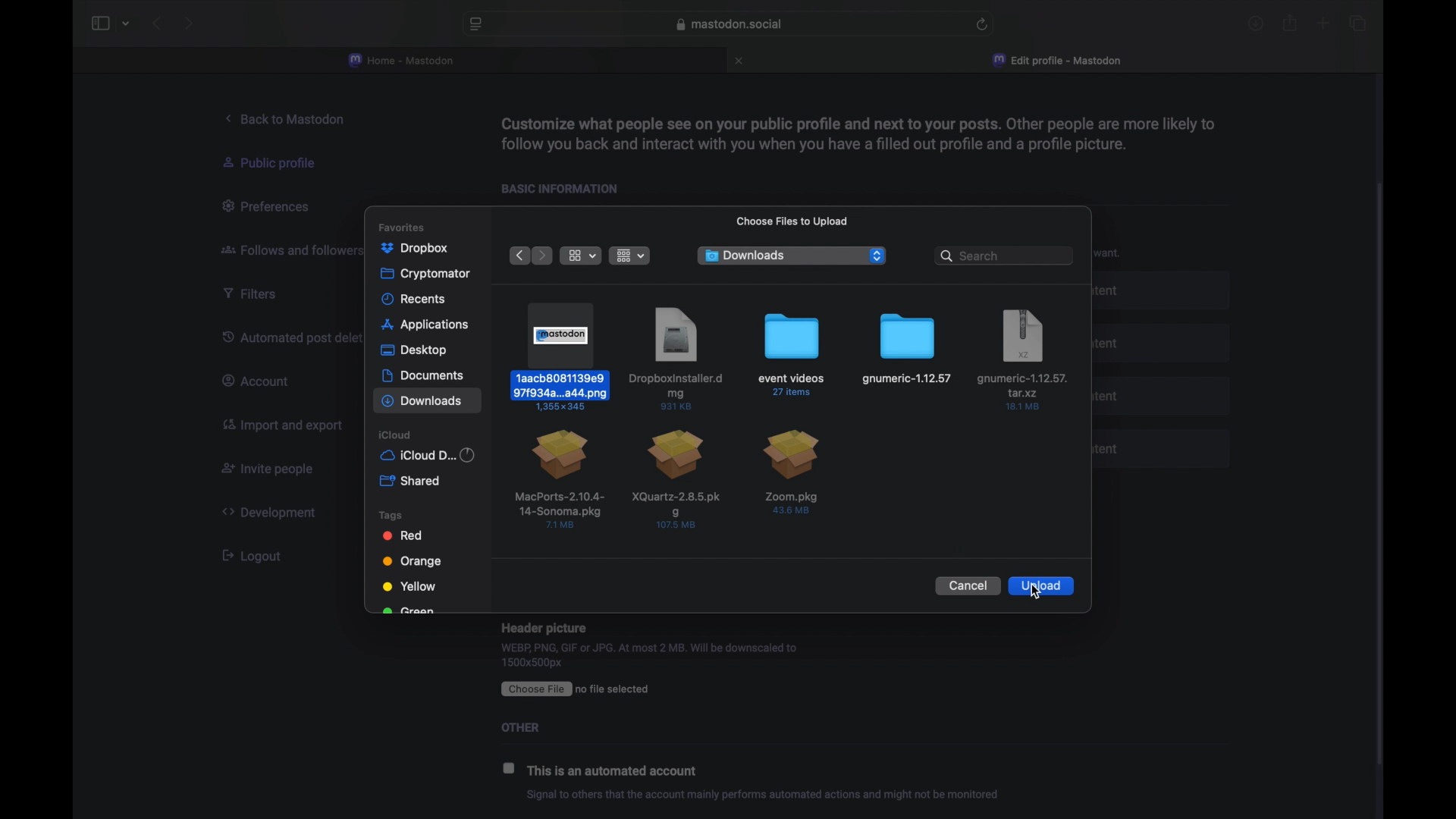 This screenshot has width=1456, height=819. Describe the element at coordinates (1357, 23) in the screenshot. I see `show tab overview` at that location.